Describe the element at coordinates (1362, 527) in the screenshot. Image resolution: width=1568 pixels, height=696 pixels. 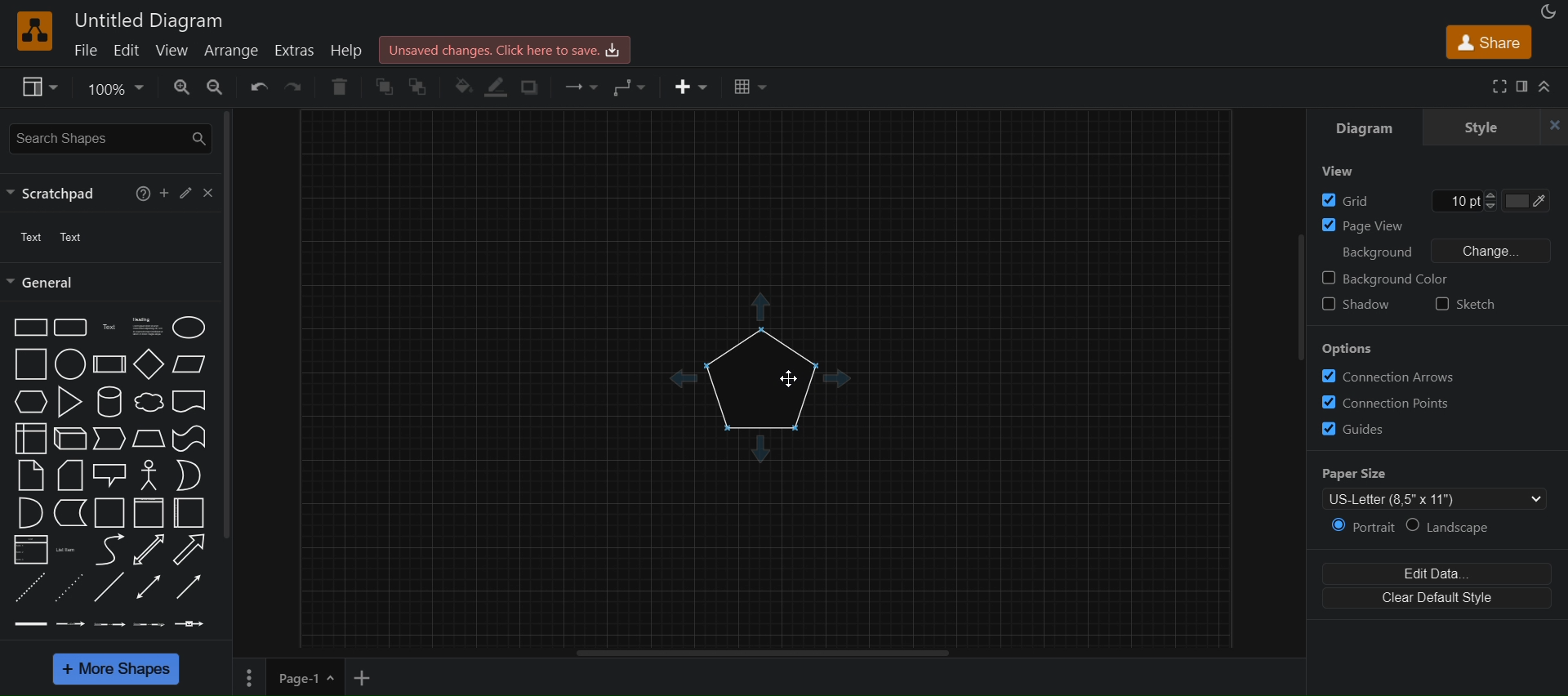
I see `Portrait` at that location.